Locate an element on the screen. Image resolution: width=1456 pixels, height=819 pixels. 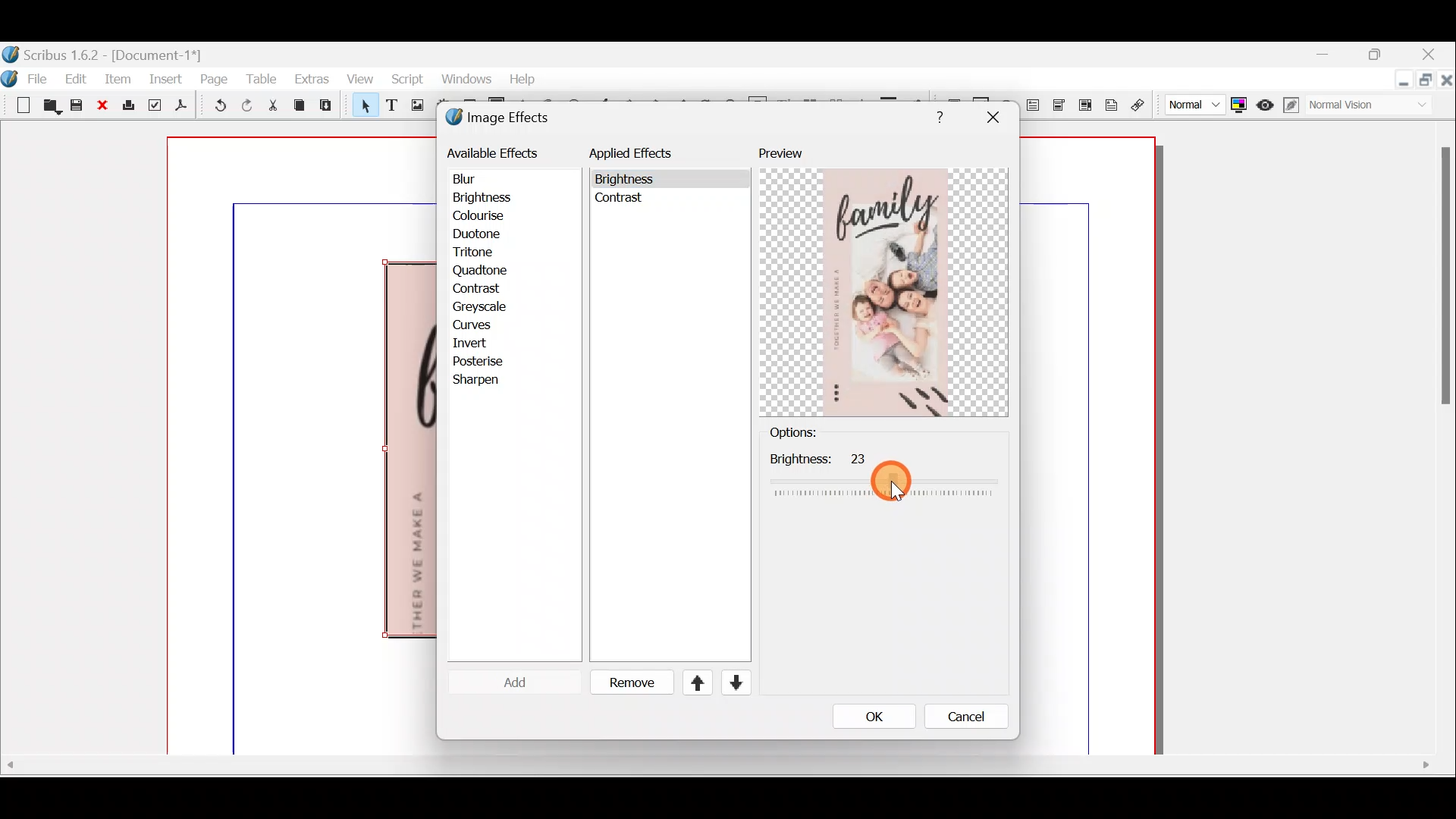
Copy is located at coordinates (300, 105).